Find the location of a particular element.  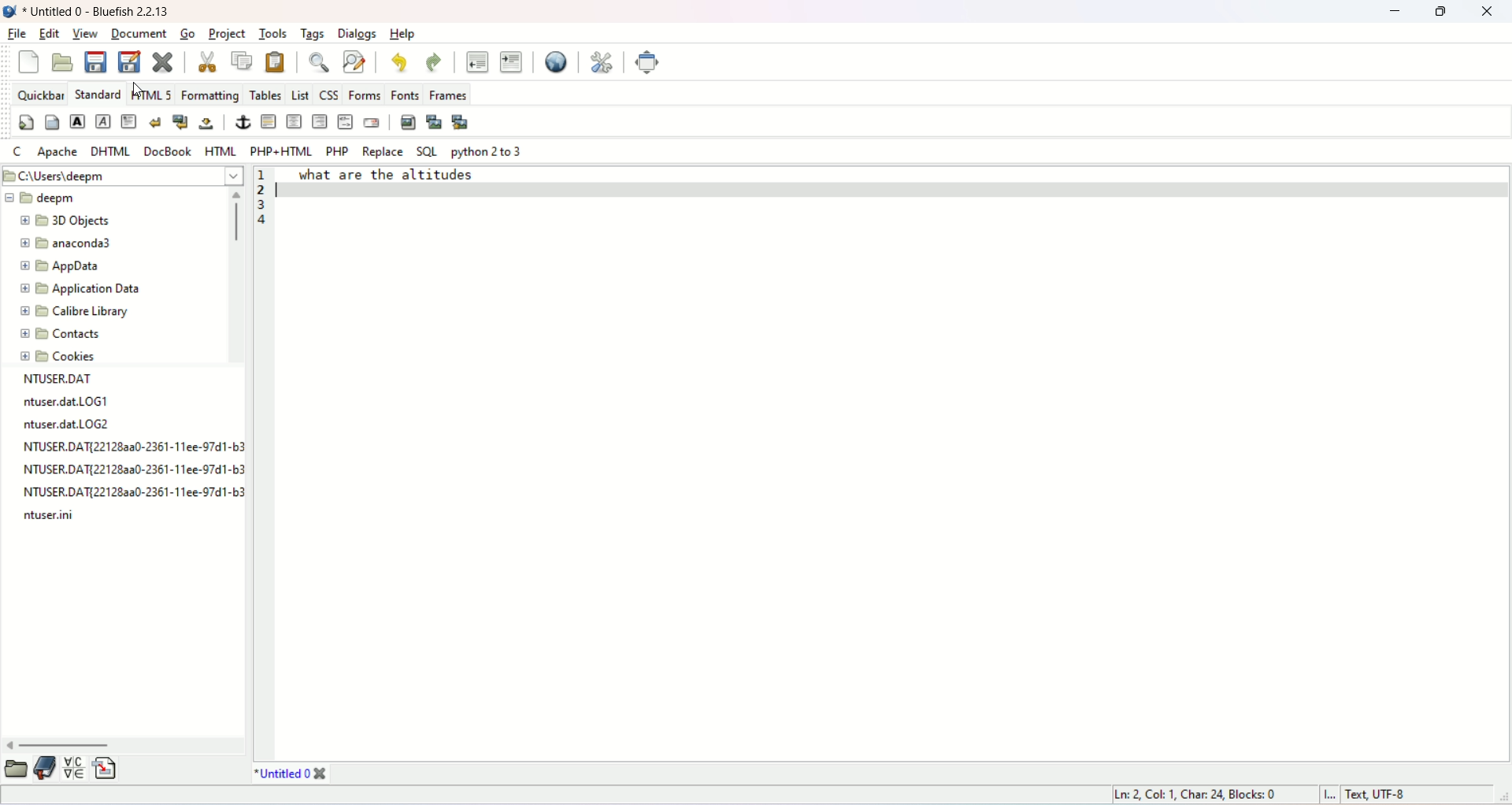

documentation is located at coordinates (43, 769).